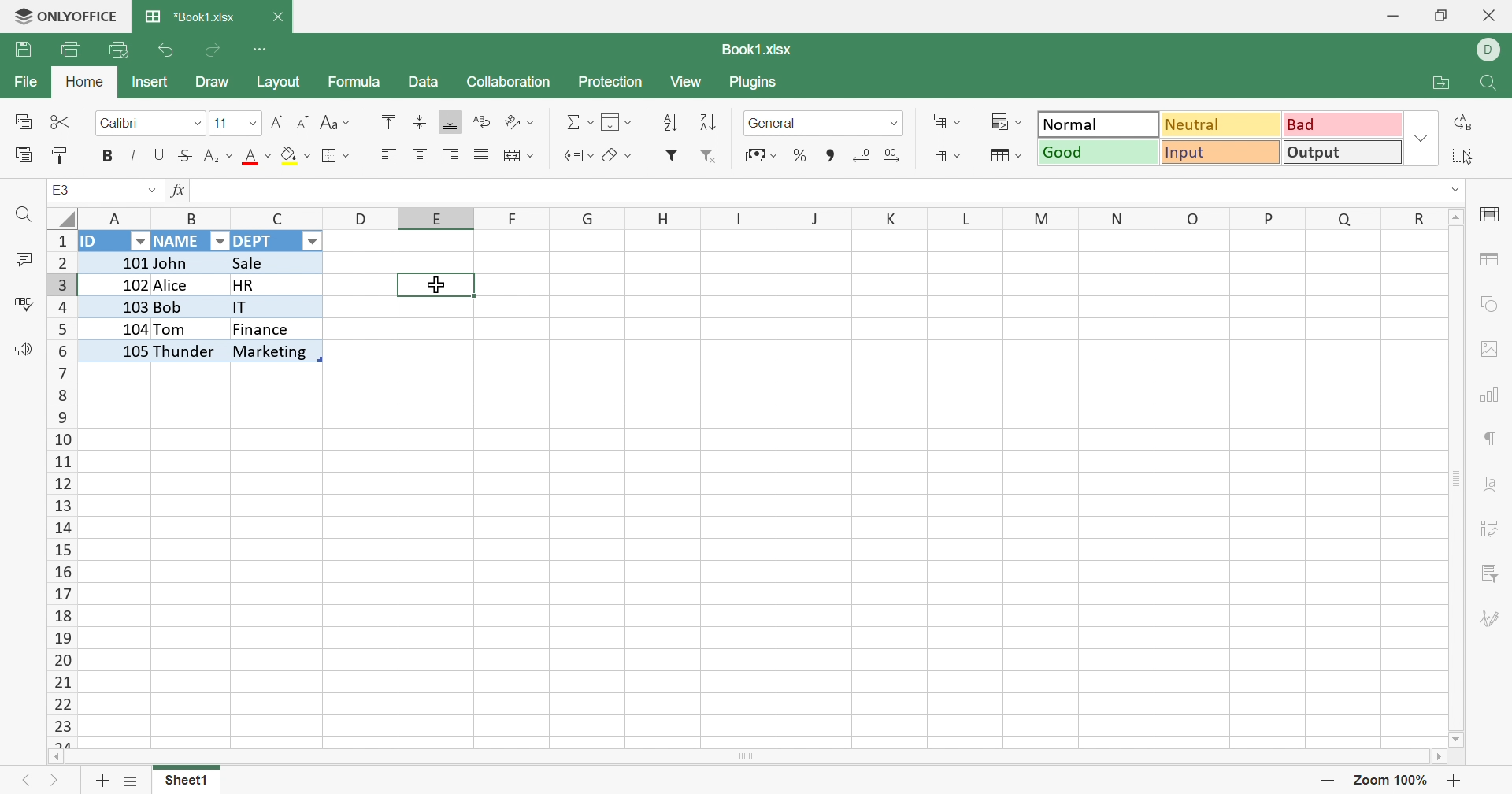 The image size is (1512, 794). I want to click on Scroll Up, so click(1458, 217).